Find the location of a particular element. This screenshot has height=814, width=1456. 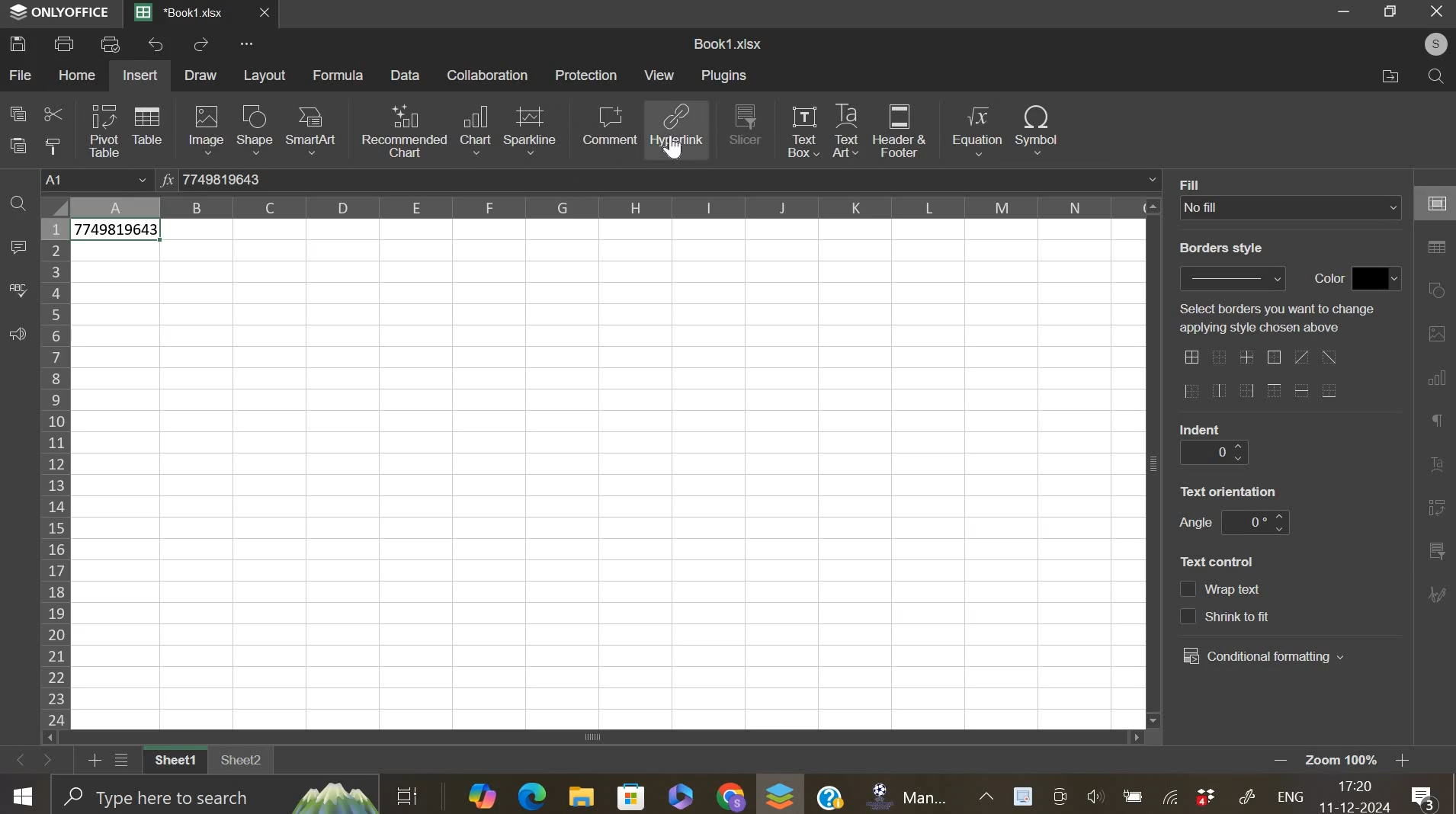

symbol is located at coordinates (1037, 128).